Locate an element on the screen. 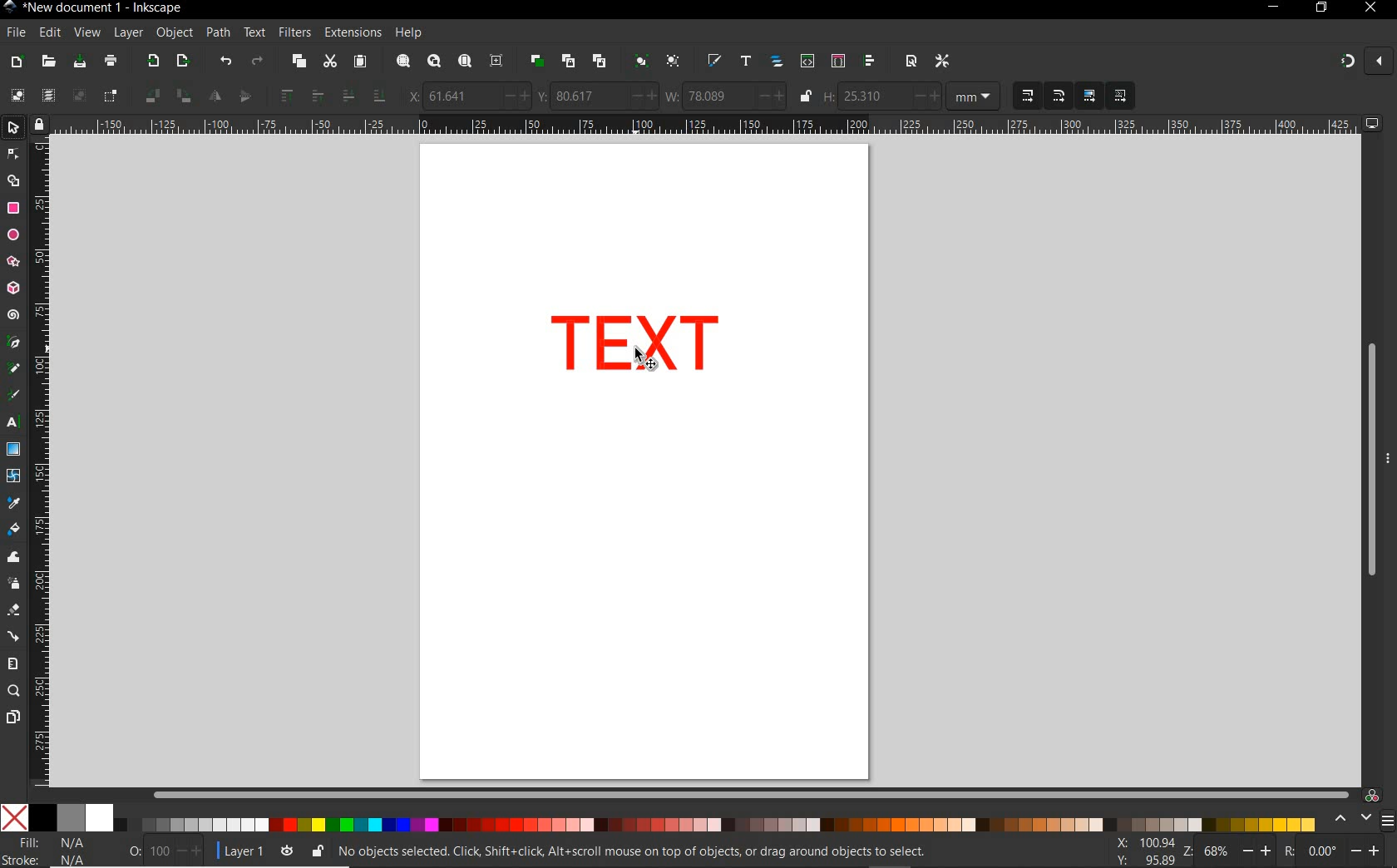 The width and height of the screenshot is (1397, 868). zoom is located at coordinates (1224, 851).